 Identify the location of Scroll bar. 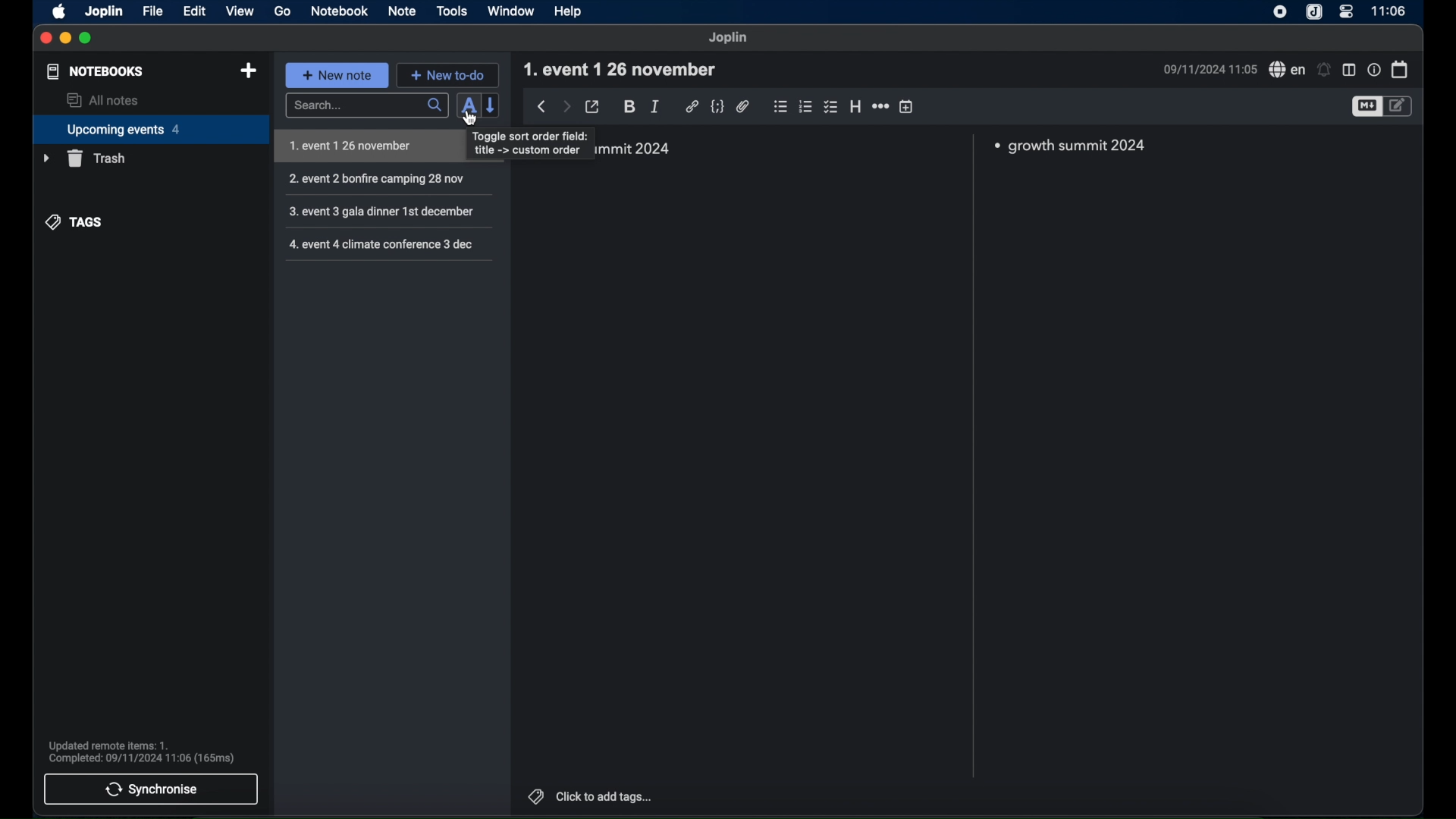
(973, 457).